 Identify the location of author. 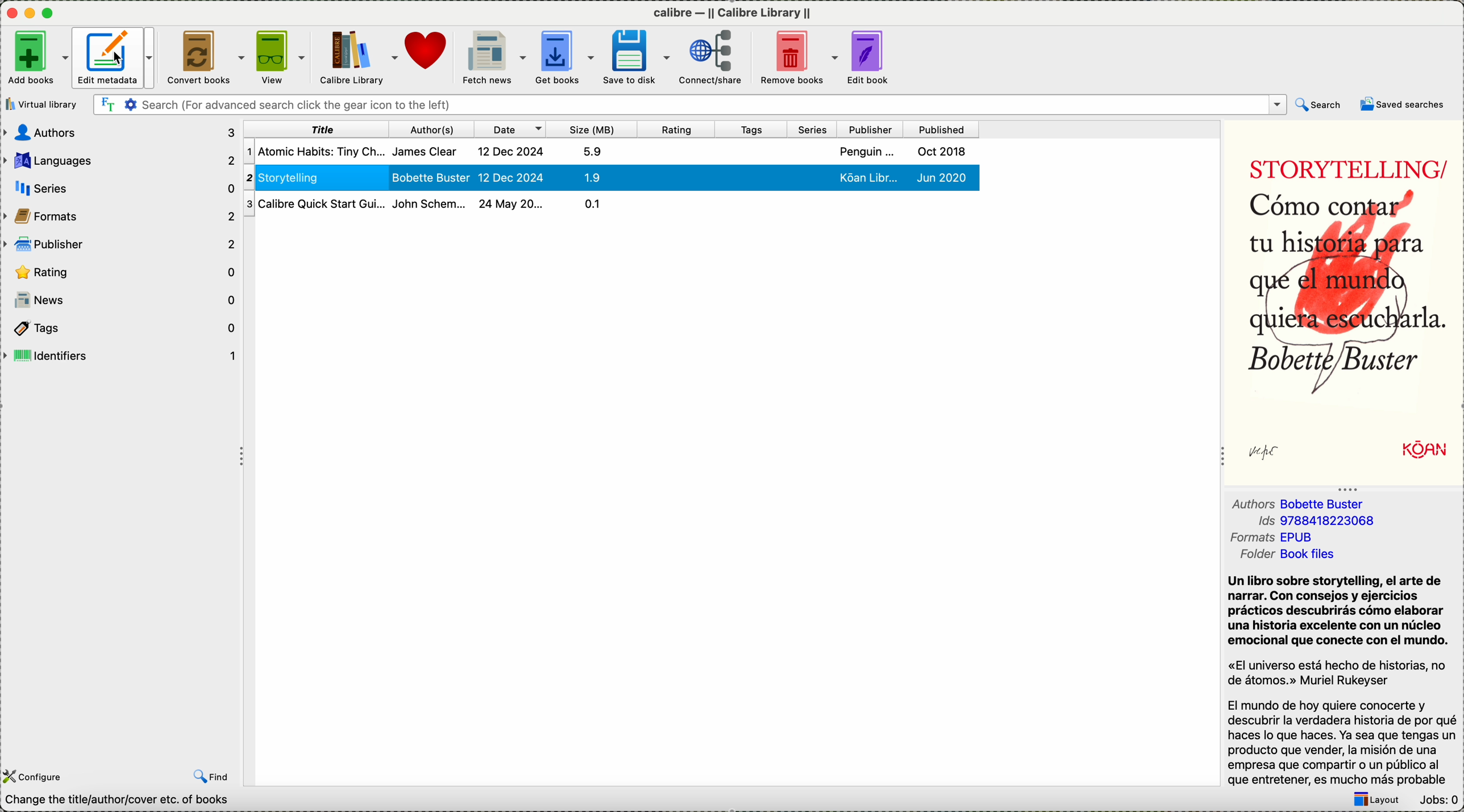
(432, 130).